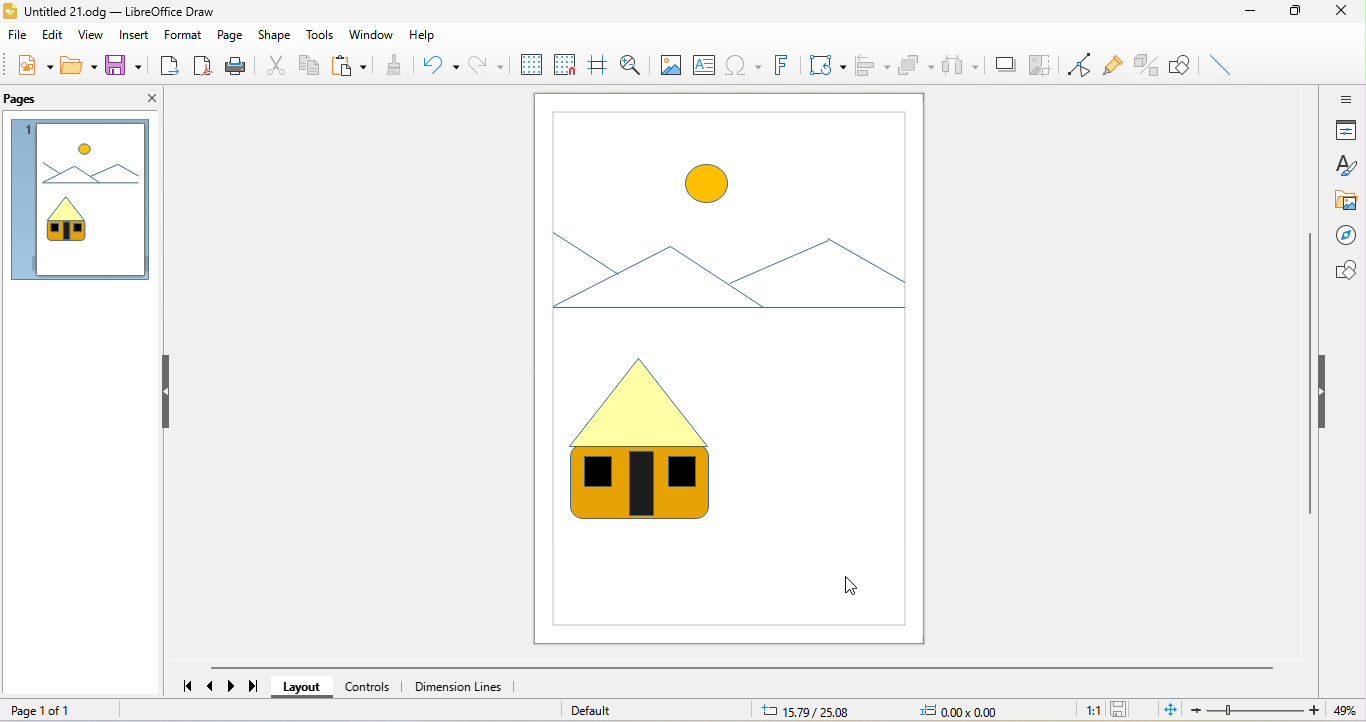  What do you see at coordinates (918, 65) in the screenshot?
I see `arrange` at bounding box center [918, 65].